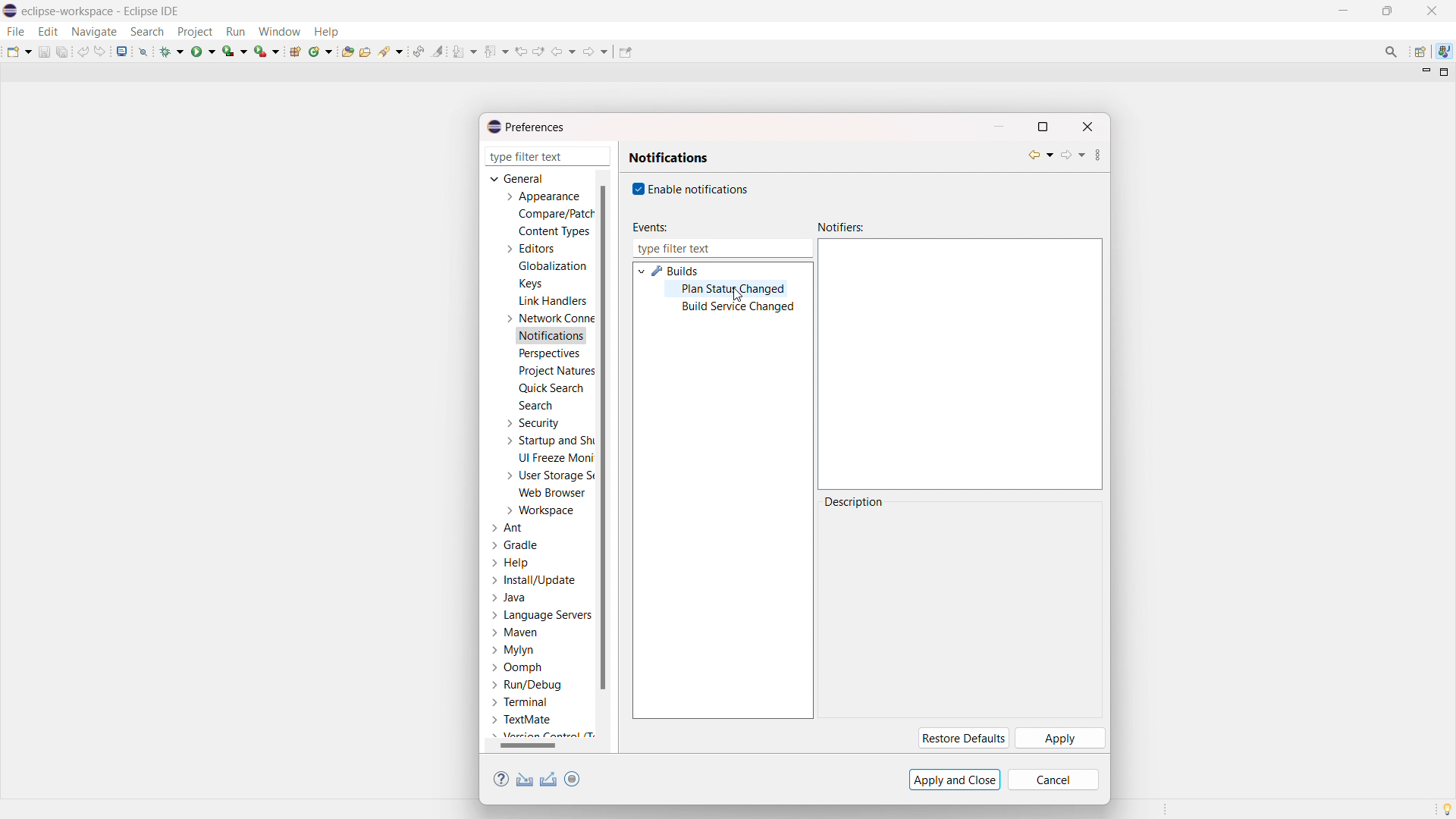 The height and width of the screenshot is (819, 1456). What do you see at coordinates (514, 633) in the screenshot?
I see `maven` at bounding box center [514, 633].